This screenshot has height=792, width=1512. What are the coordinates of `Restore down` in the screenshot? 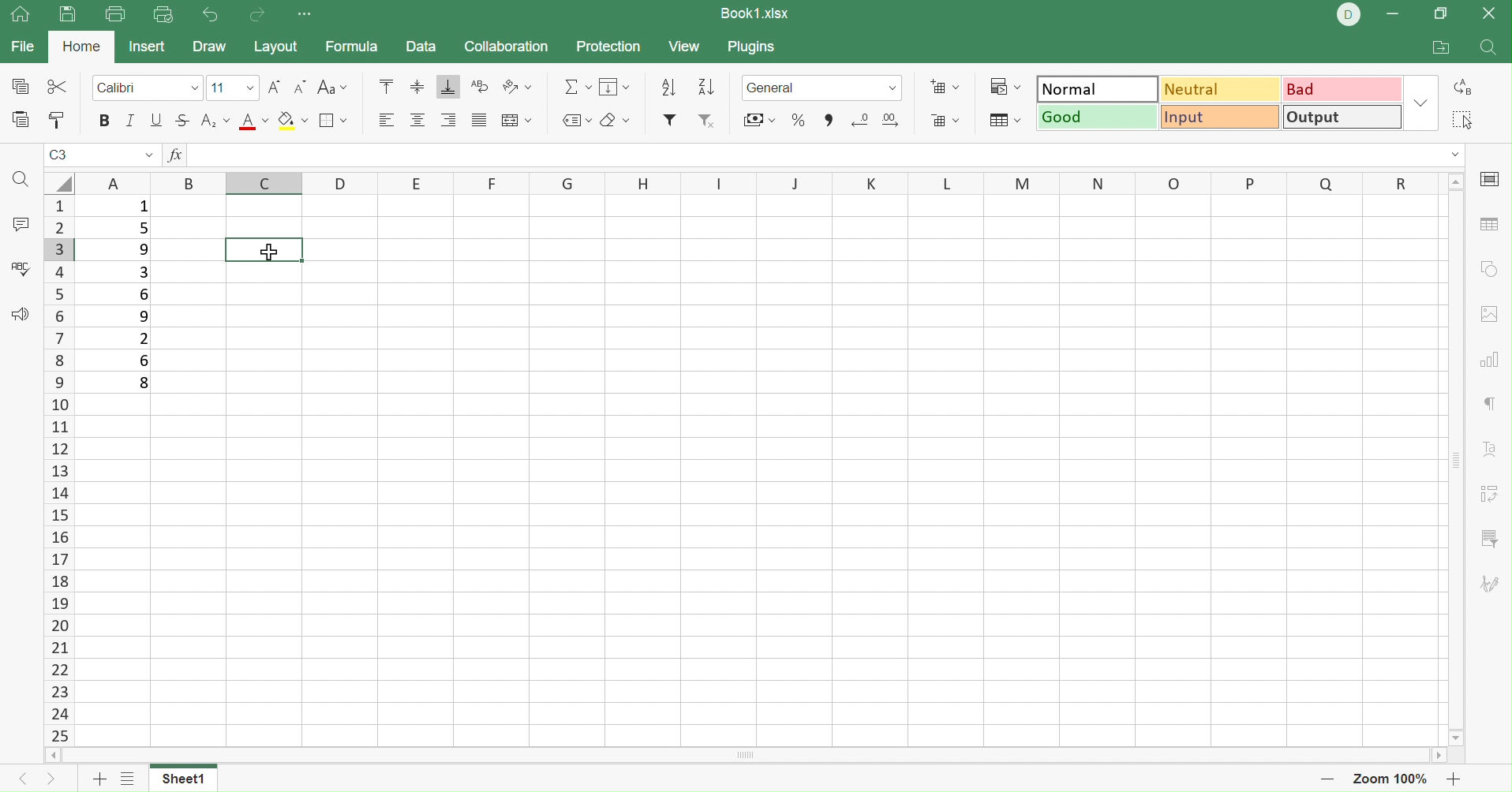 It's located at (1441, 15).